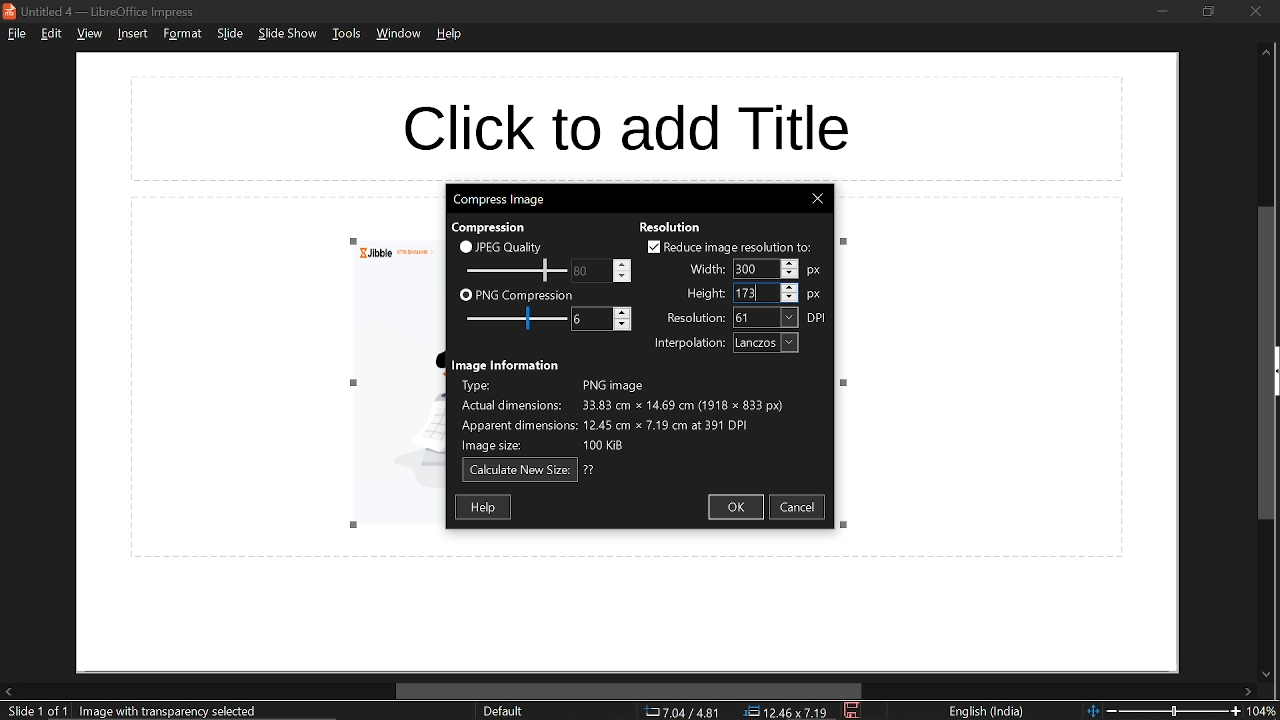 The height and width of the screenshot is (720, 1280). What do you see at coordinates (517, 269) in the screenshot?
I see `JPEG quality scale` at bounding box center [517, 269].